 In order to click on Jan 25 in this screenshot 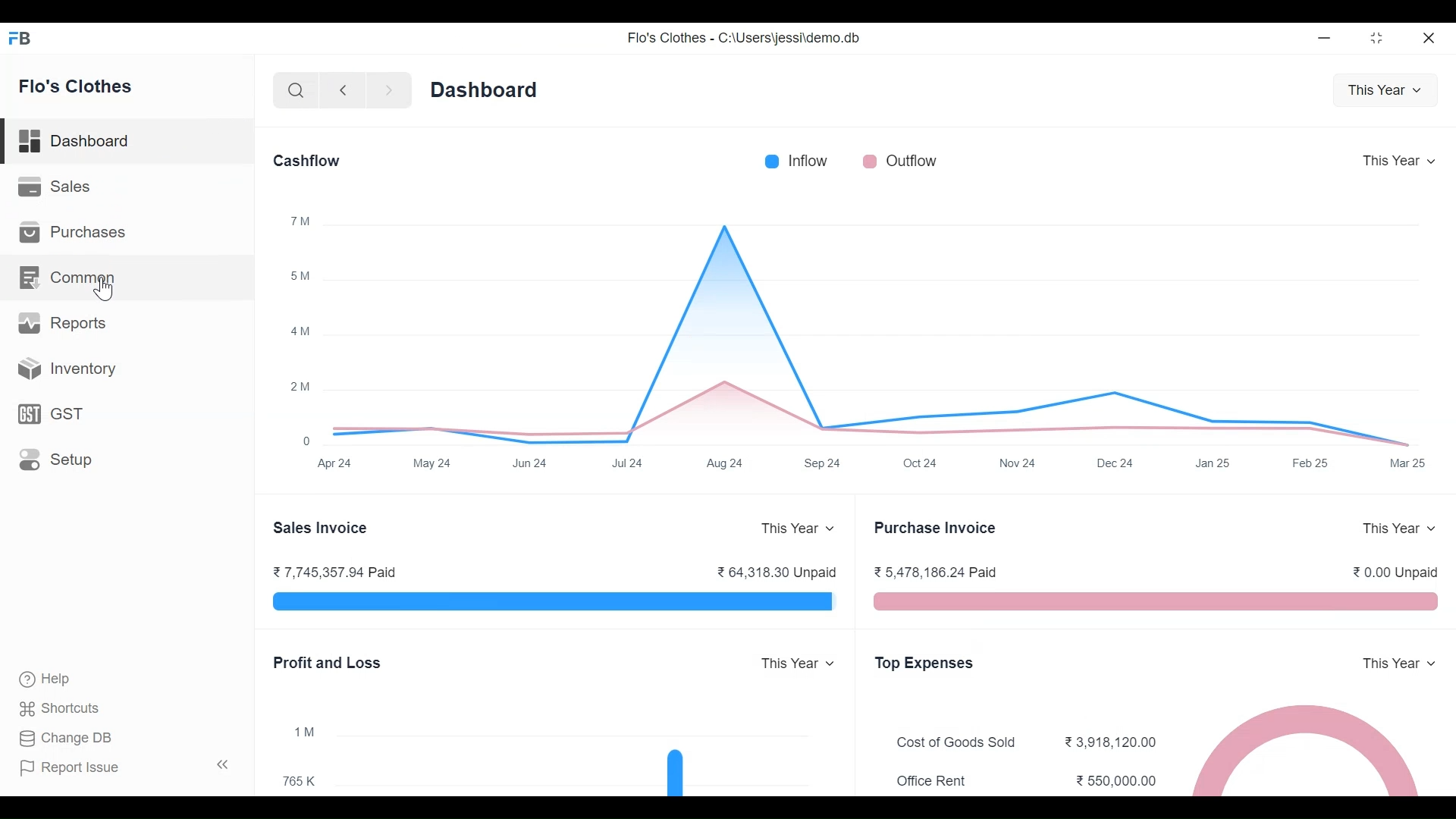, I will do `click(1210, 463)`.